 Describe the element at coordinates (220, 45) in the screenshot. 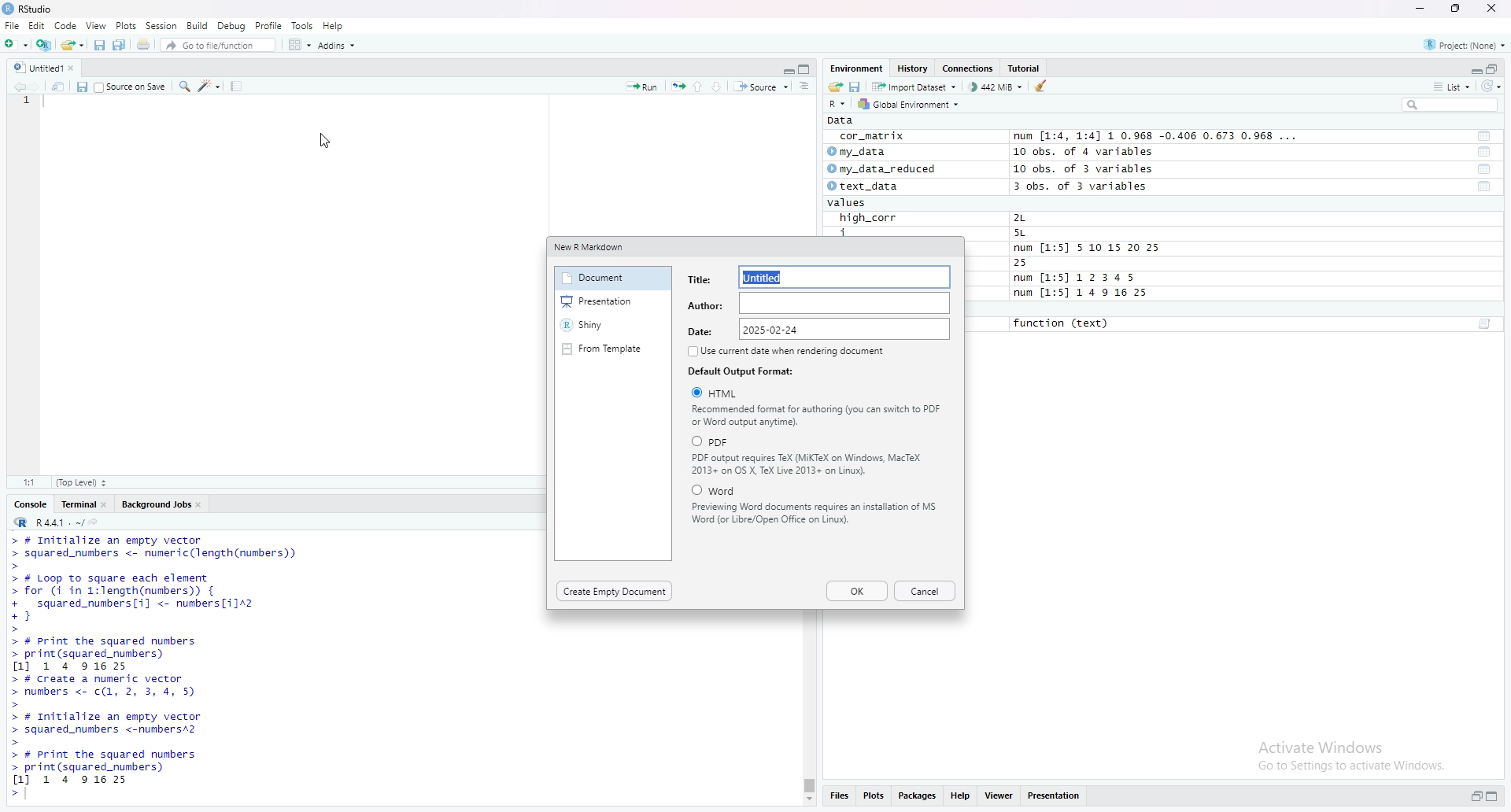

I see `Go to file/function` at that location.